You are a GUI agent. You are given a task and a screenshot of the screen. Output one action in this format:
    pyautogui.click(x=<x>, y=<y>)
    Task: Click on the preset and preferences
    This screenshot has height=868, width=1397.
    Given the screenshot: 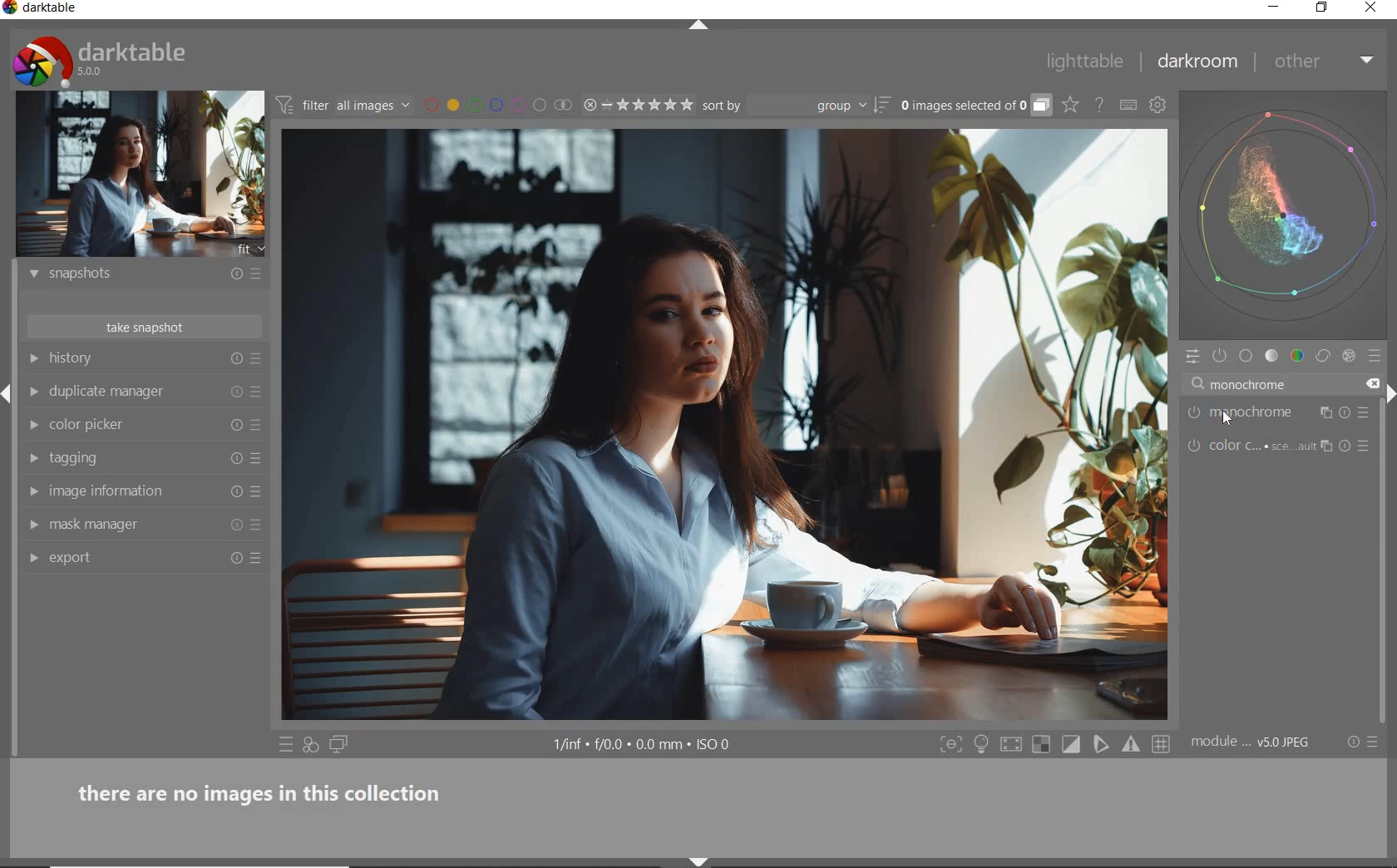 What is the action you would take?
    pyautogui.click(x=258, y=526)
    